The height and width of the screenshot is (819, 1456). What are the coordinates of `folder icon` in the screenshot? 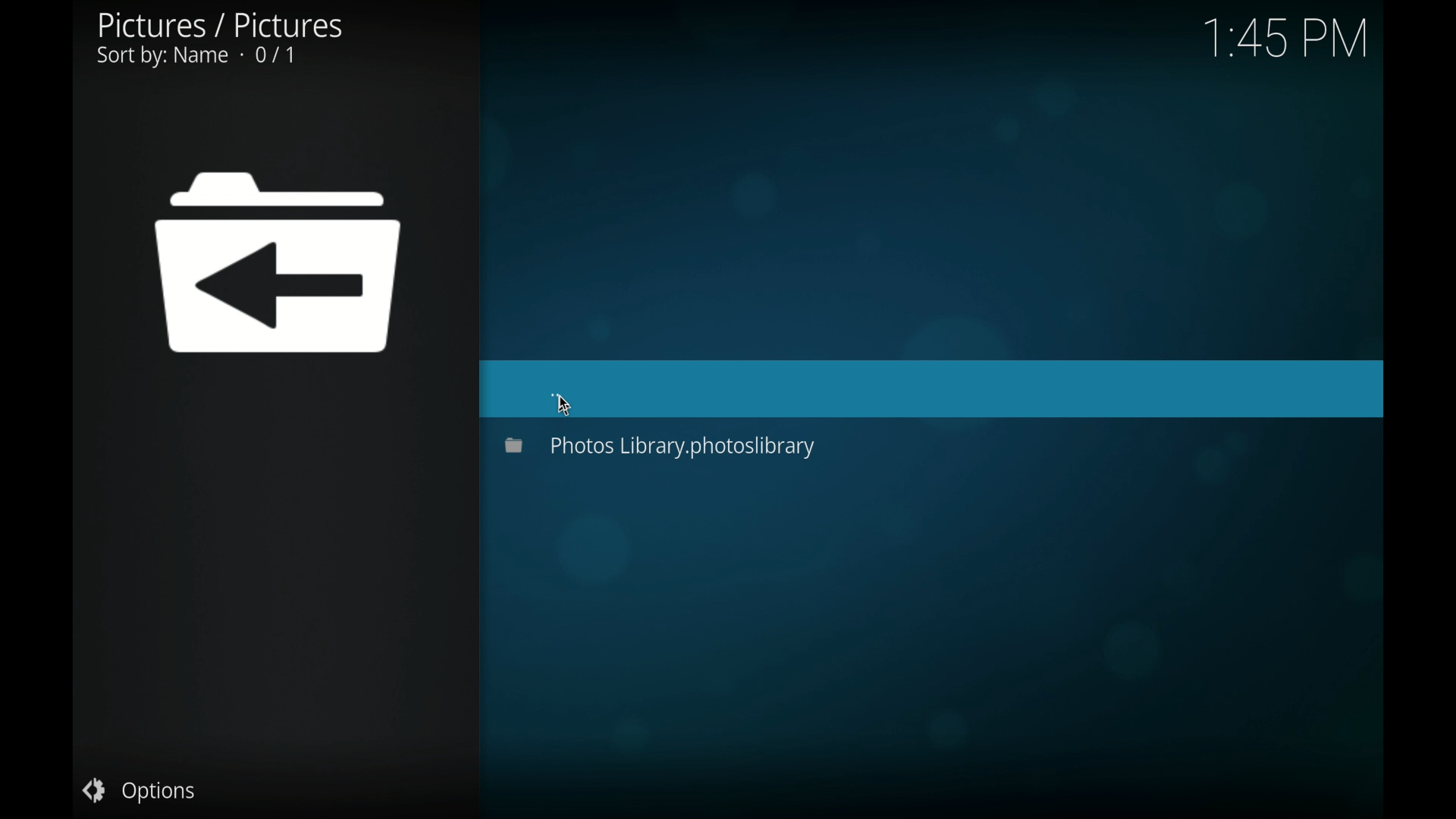 It's located at (279, 263).